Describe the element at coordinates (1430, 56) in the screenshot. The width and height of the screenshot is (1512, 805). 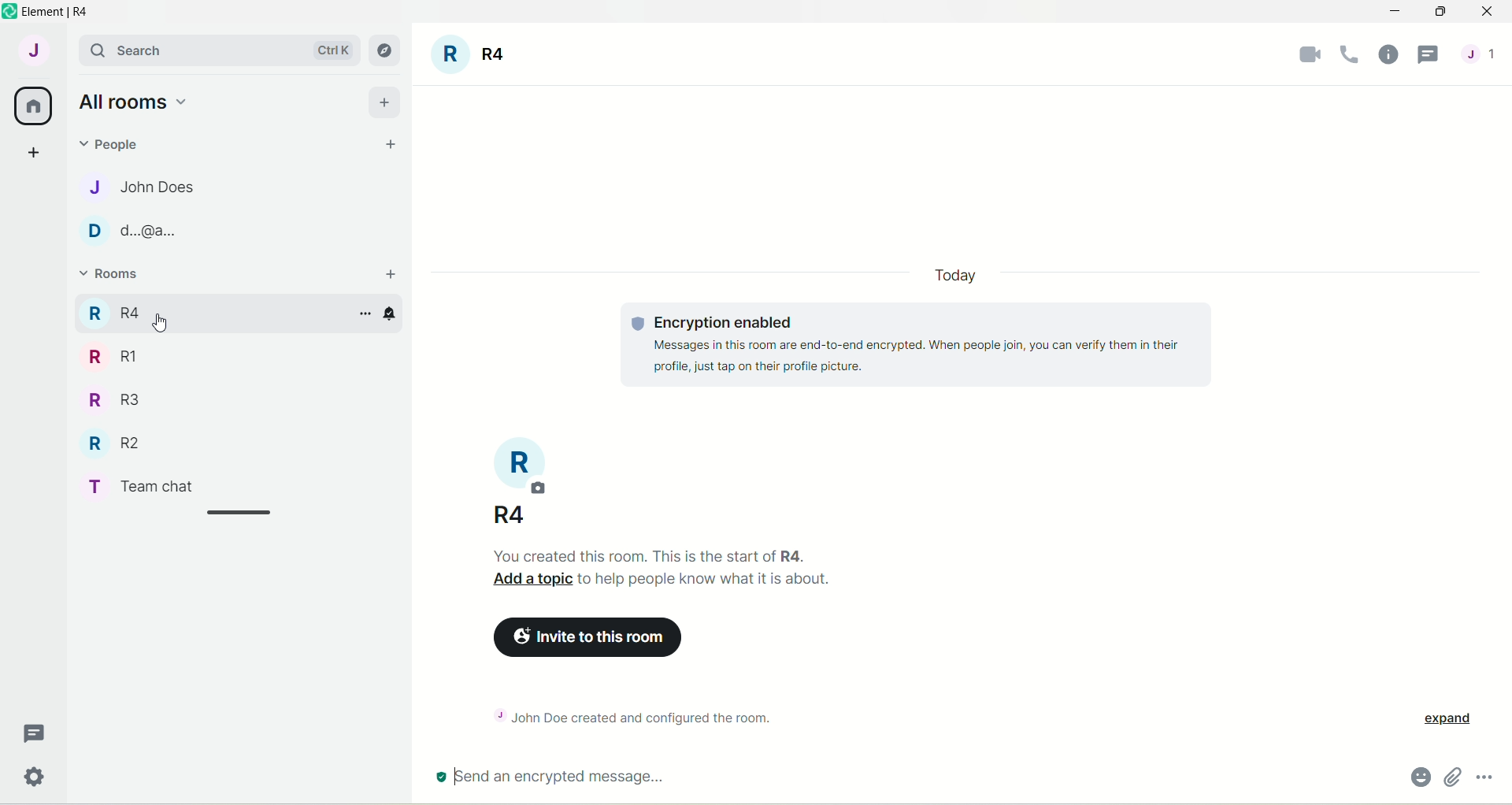
I see `threads` at that location.